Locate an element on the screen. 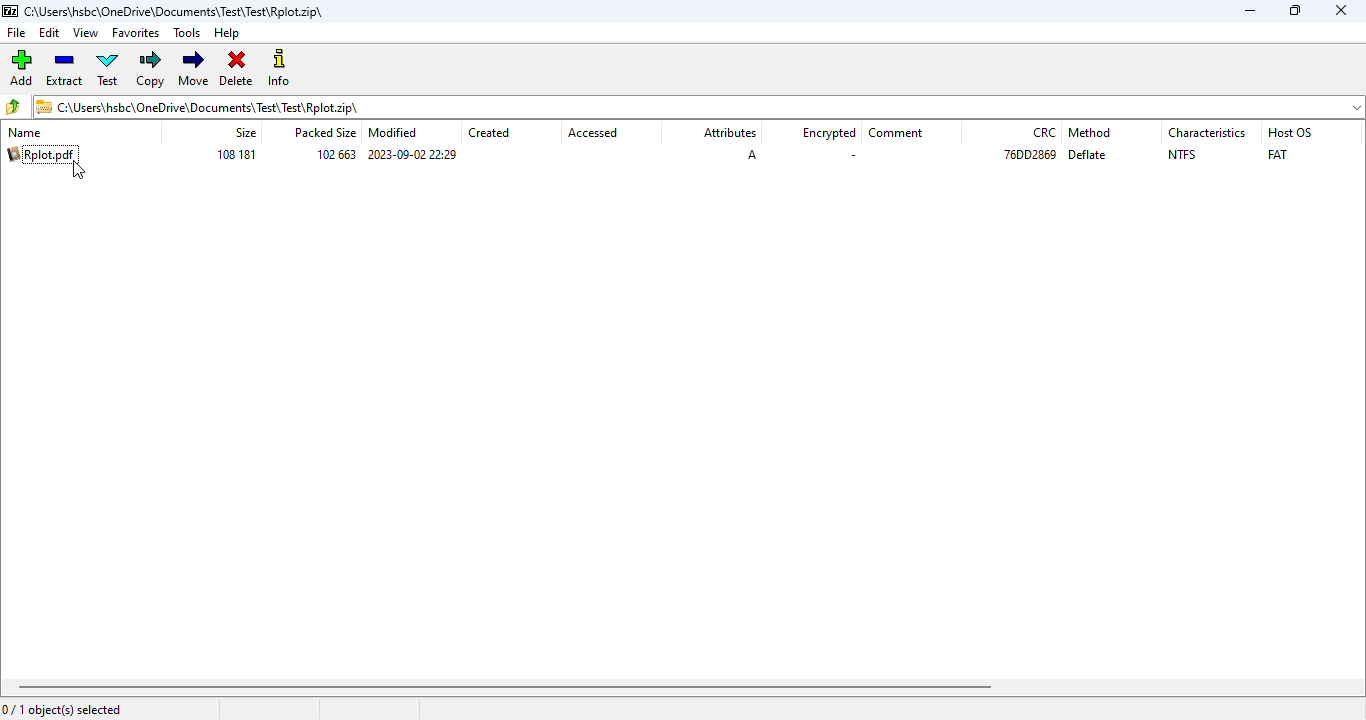  test is located at coordinates (108, 69).